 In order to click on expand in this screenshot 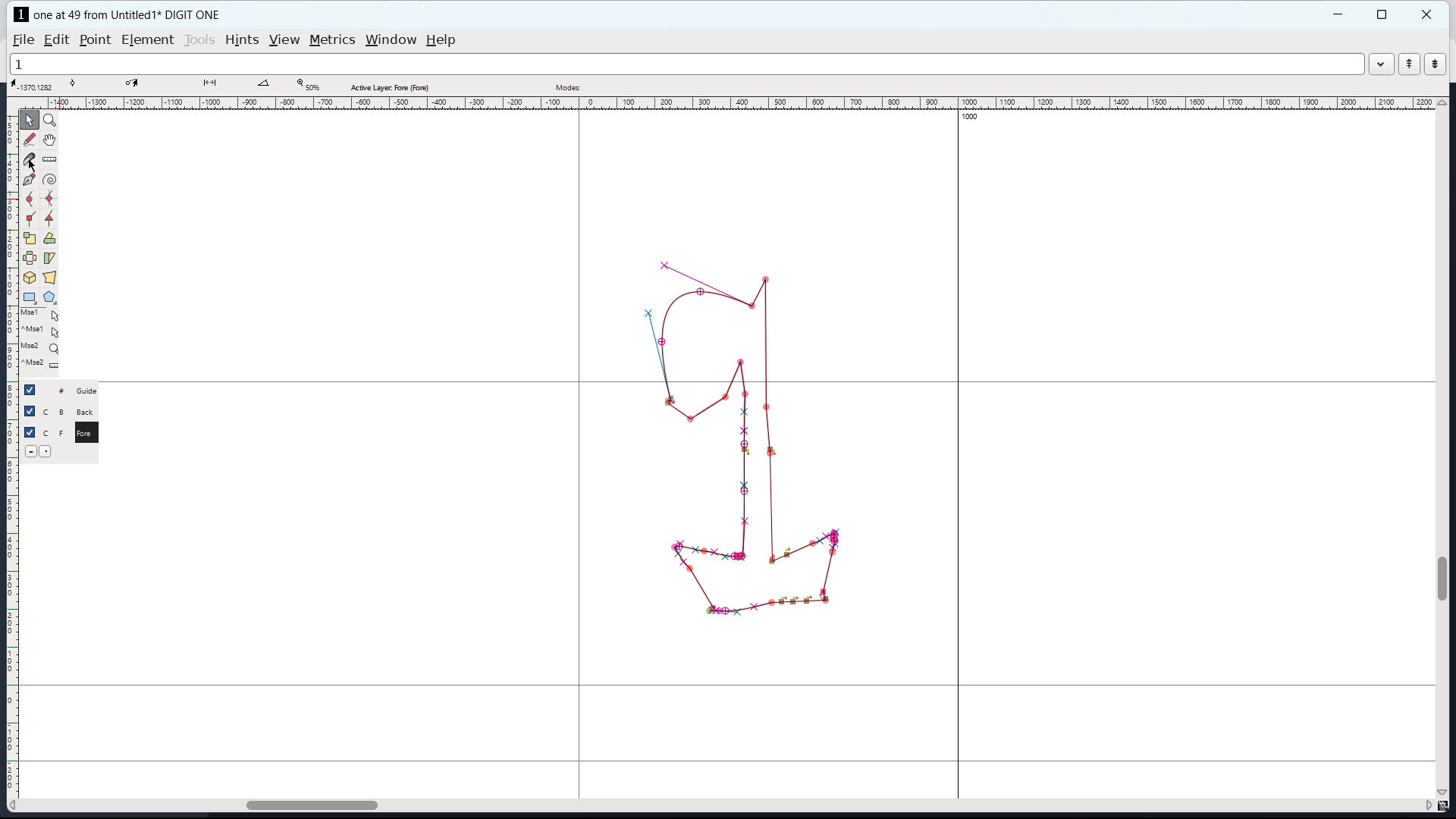, I will do `click(1380, 66)`.